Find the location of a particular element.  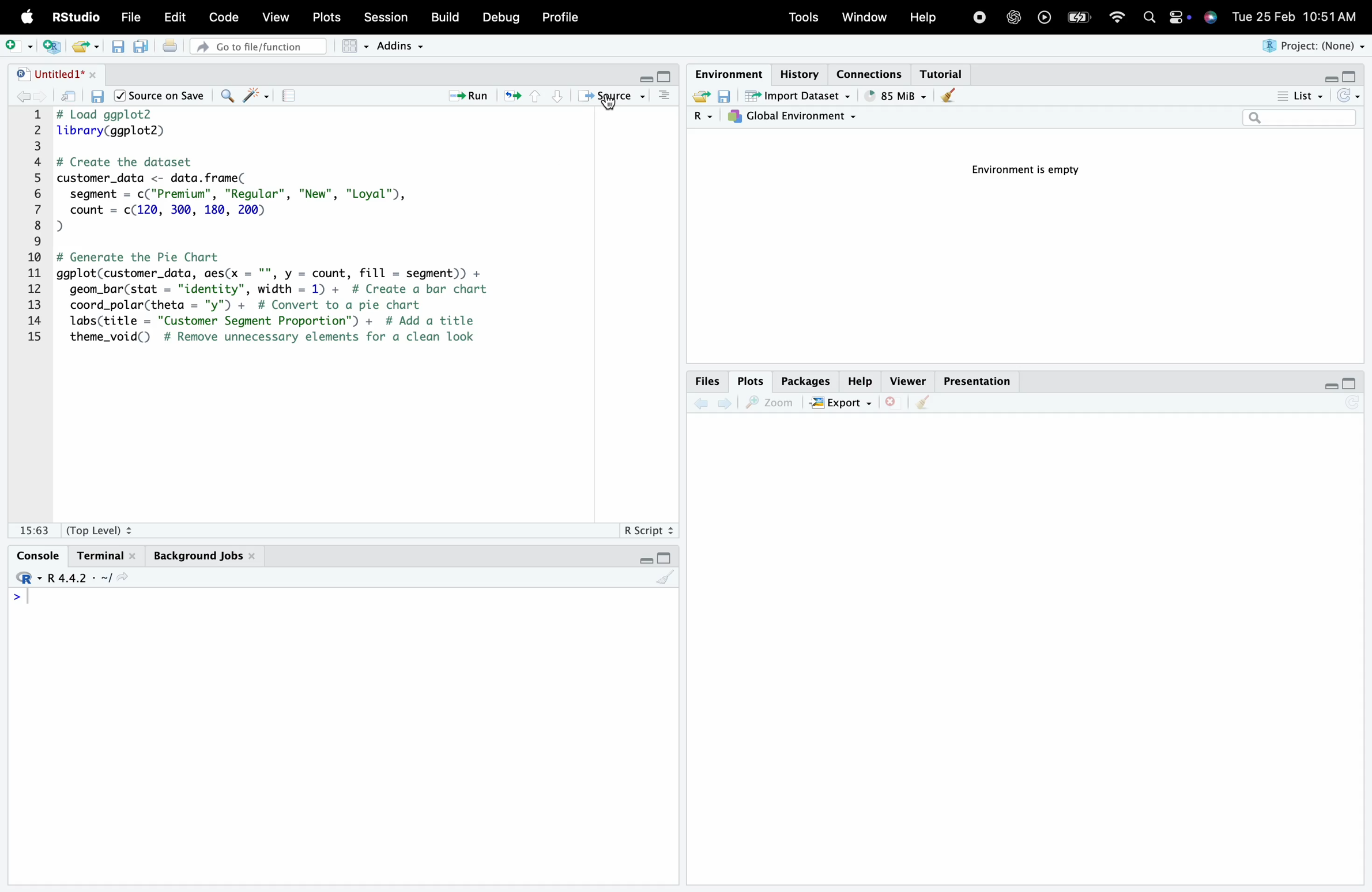

top is located at coordinates (533, 99).